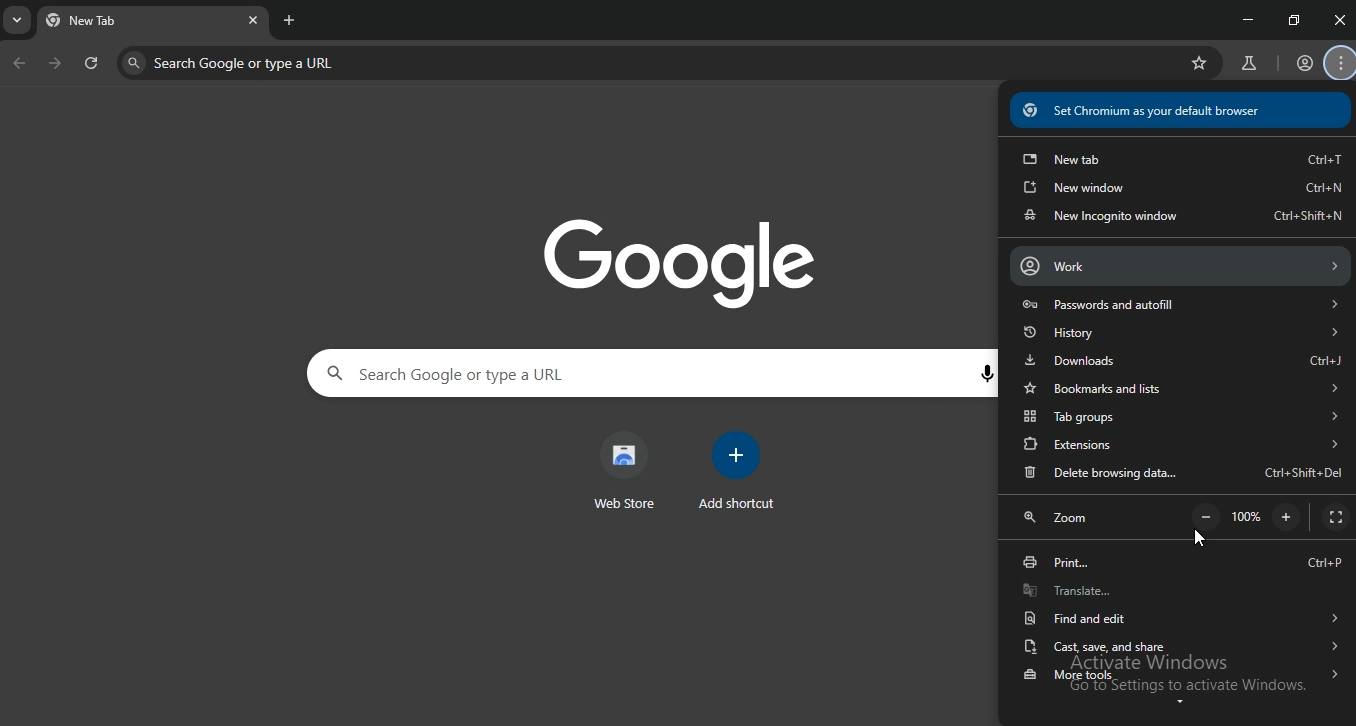  I want to click on profile, so click(1305, 64).